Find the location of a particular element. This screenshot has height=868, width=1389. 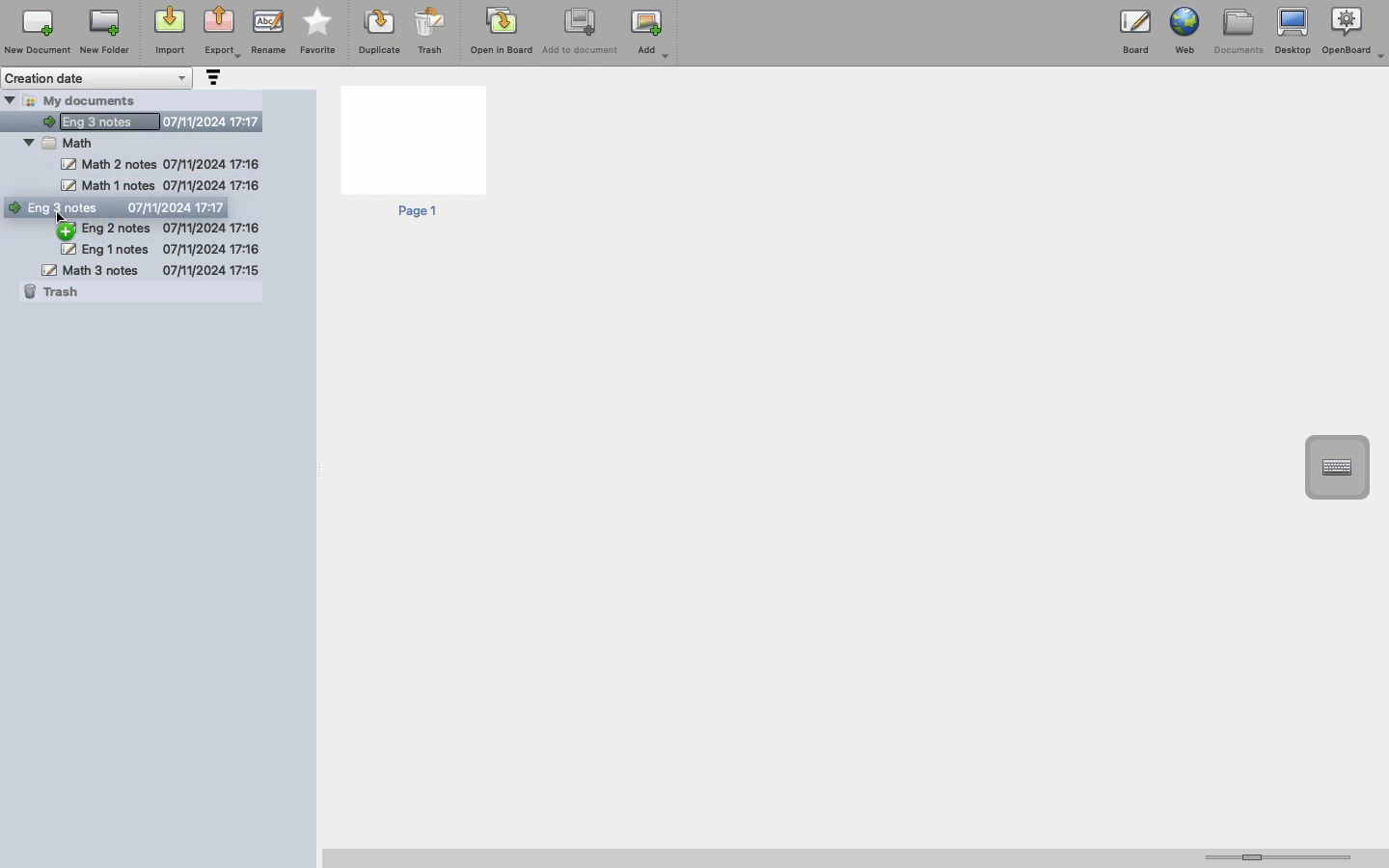

Documents is located at coordinates (1238, 32).